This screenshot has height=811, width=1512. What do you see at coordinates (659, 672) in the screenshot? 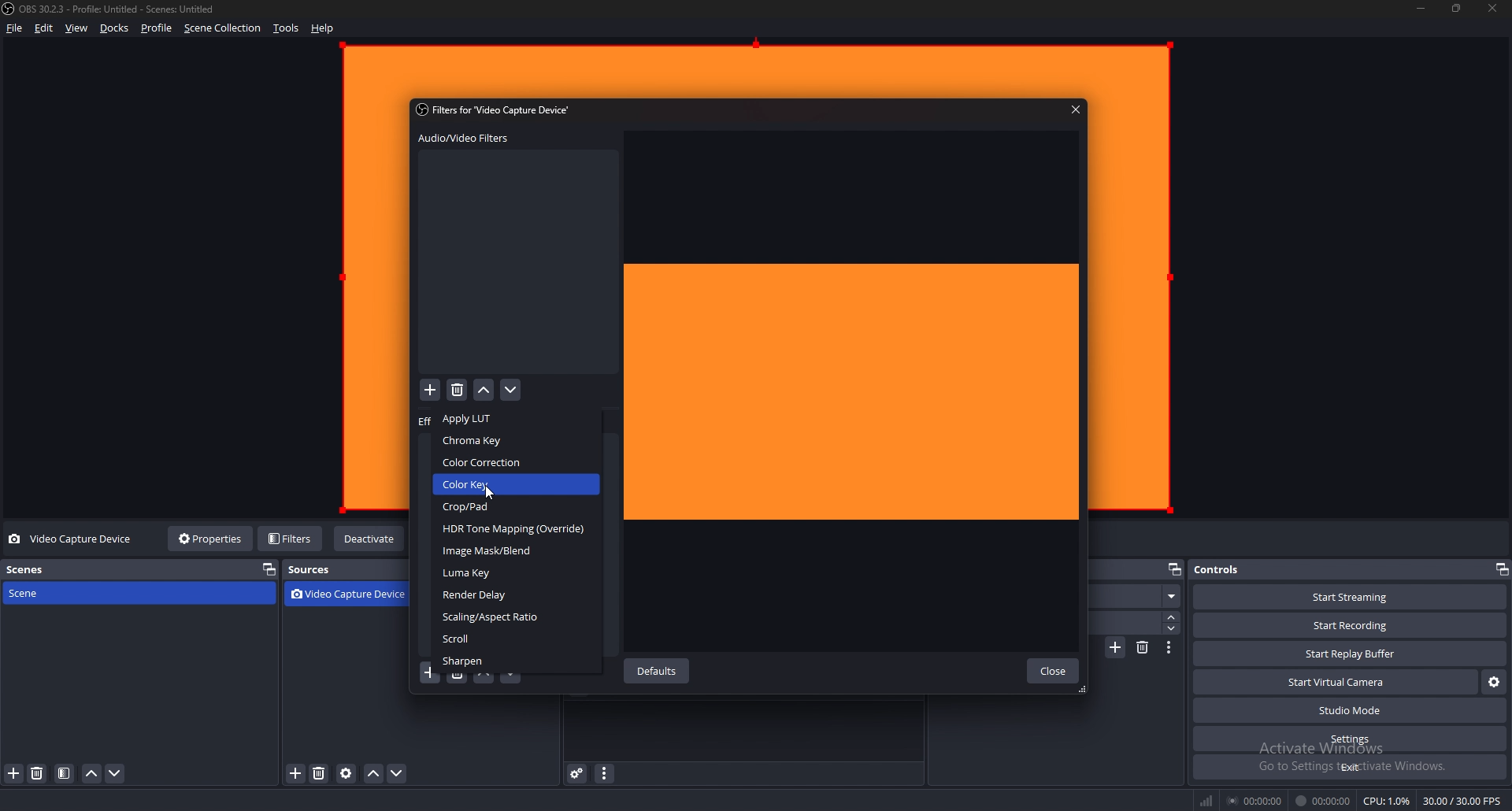
I see `defaults` at bounding box center [659, 672].